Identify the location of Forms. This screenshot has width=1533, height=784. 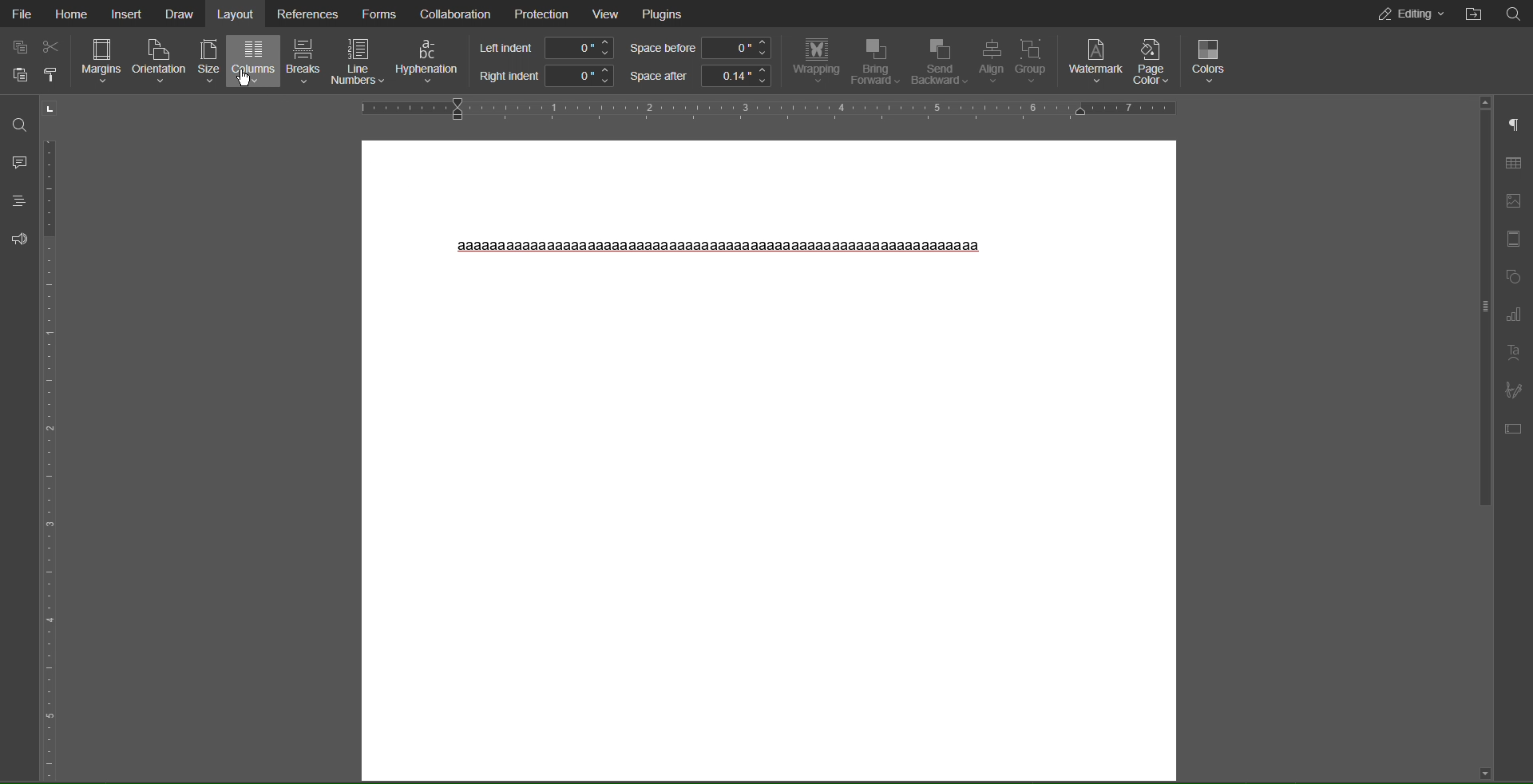
(383, 14).